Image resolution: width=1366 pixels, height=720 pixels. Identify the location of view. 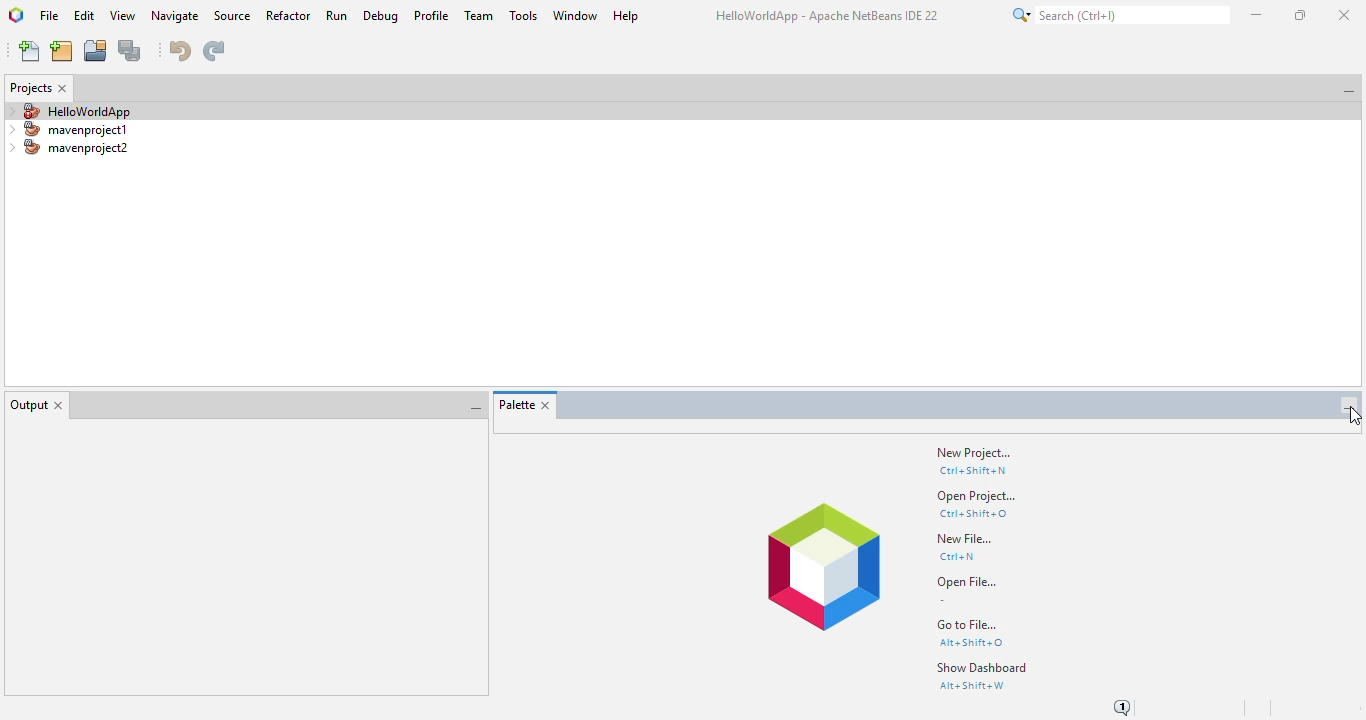
(124, 16).